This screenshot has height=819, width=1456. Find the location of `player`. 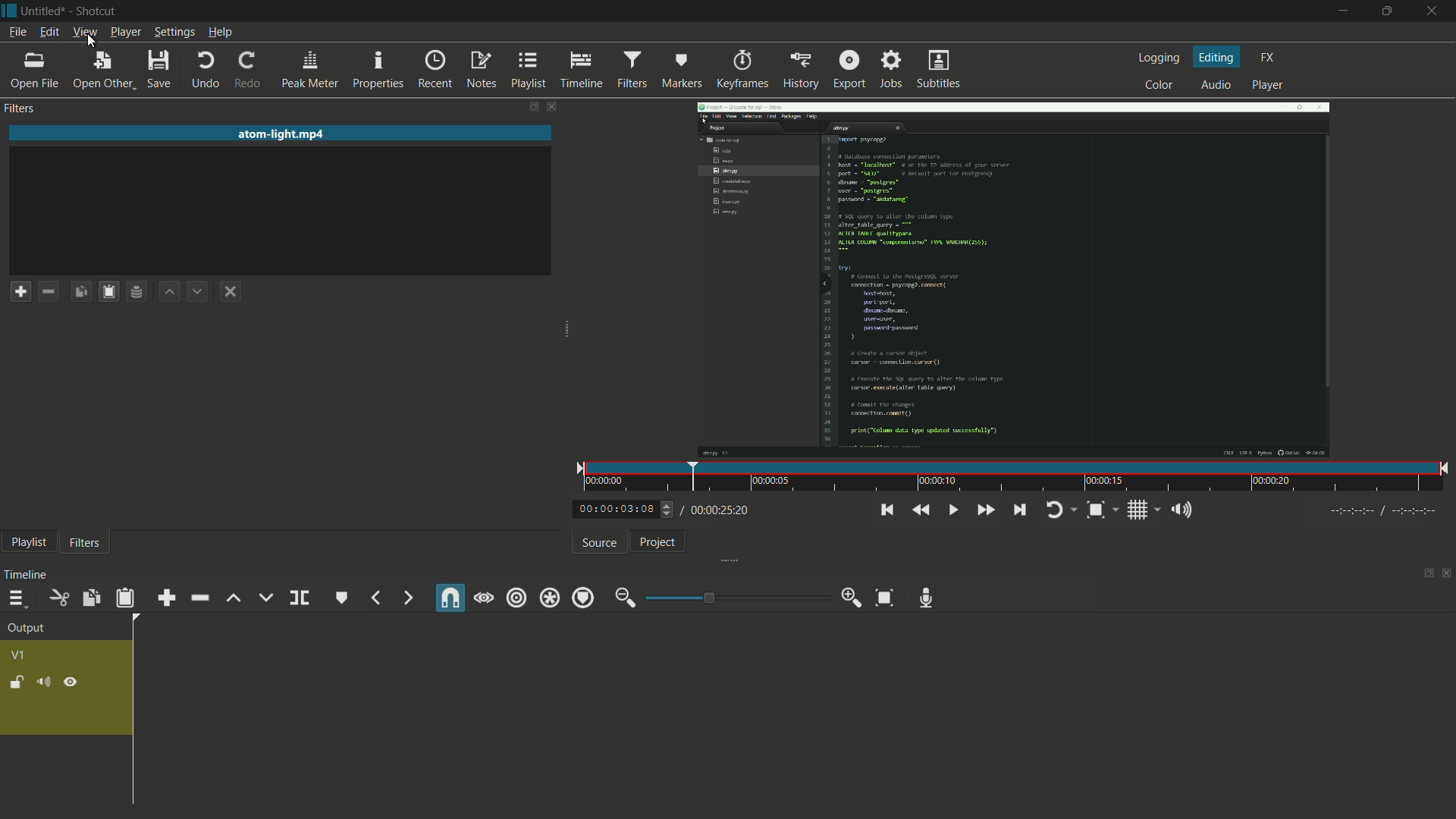

player is located at coordinates (1266, 85).